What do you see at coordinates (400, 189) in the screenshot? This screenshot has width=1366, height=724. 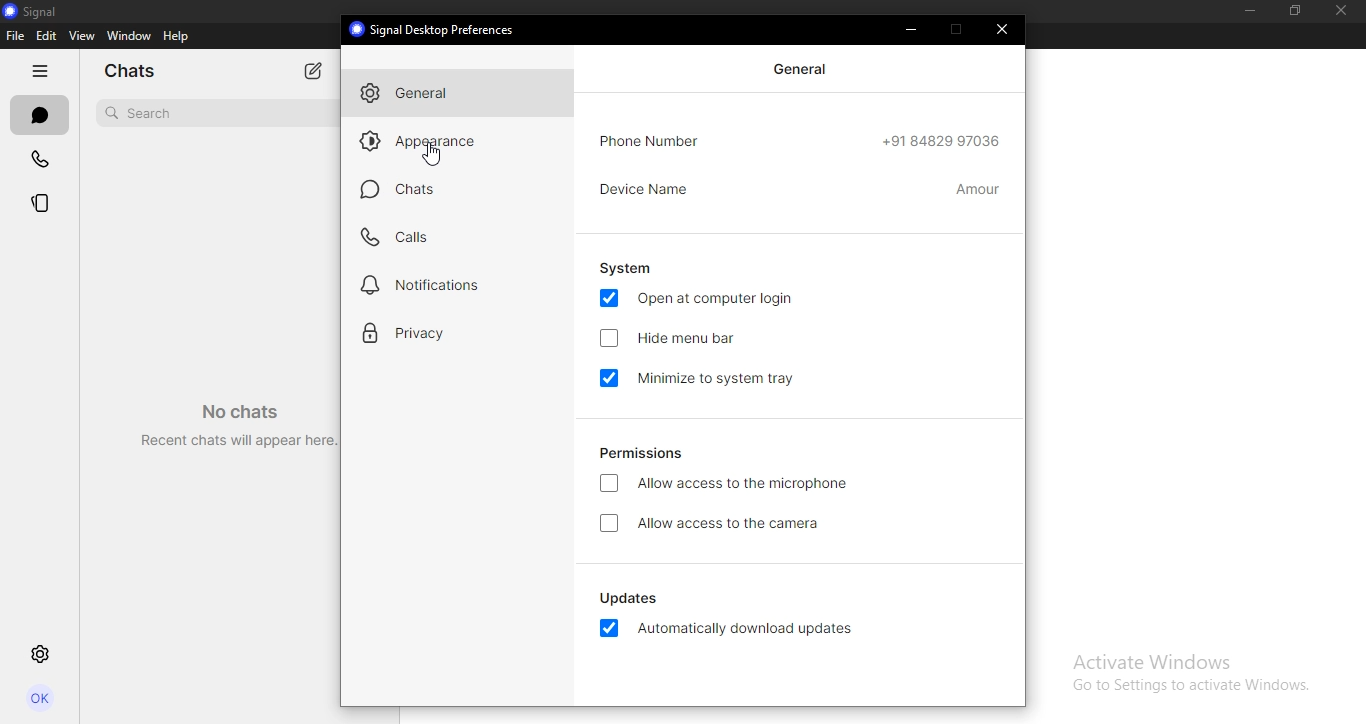 I see `chats` at bounding box center [400, 189].